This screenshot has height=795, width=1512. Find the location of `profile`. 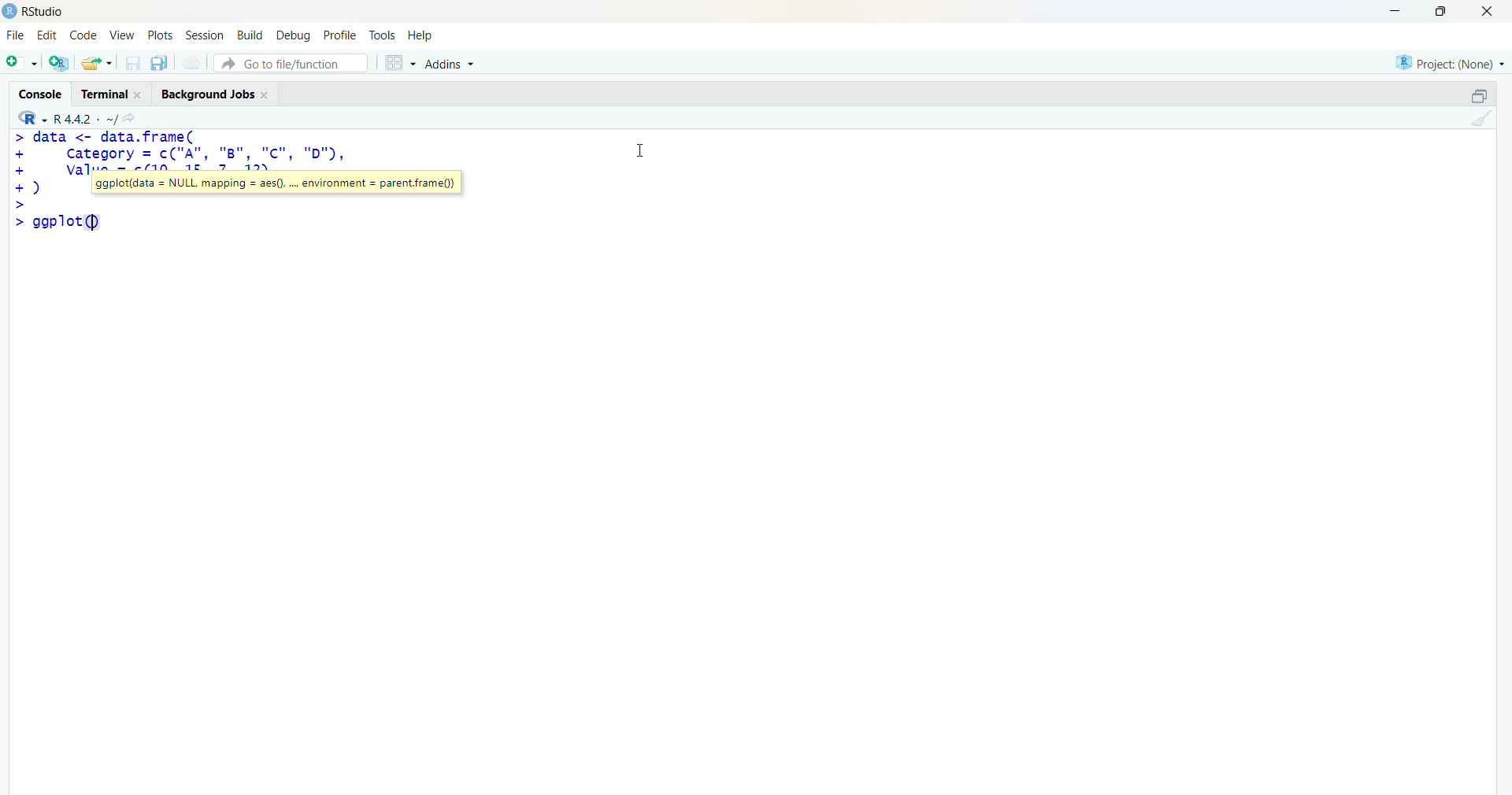

profile is located at coordinates (339, 36).